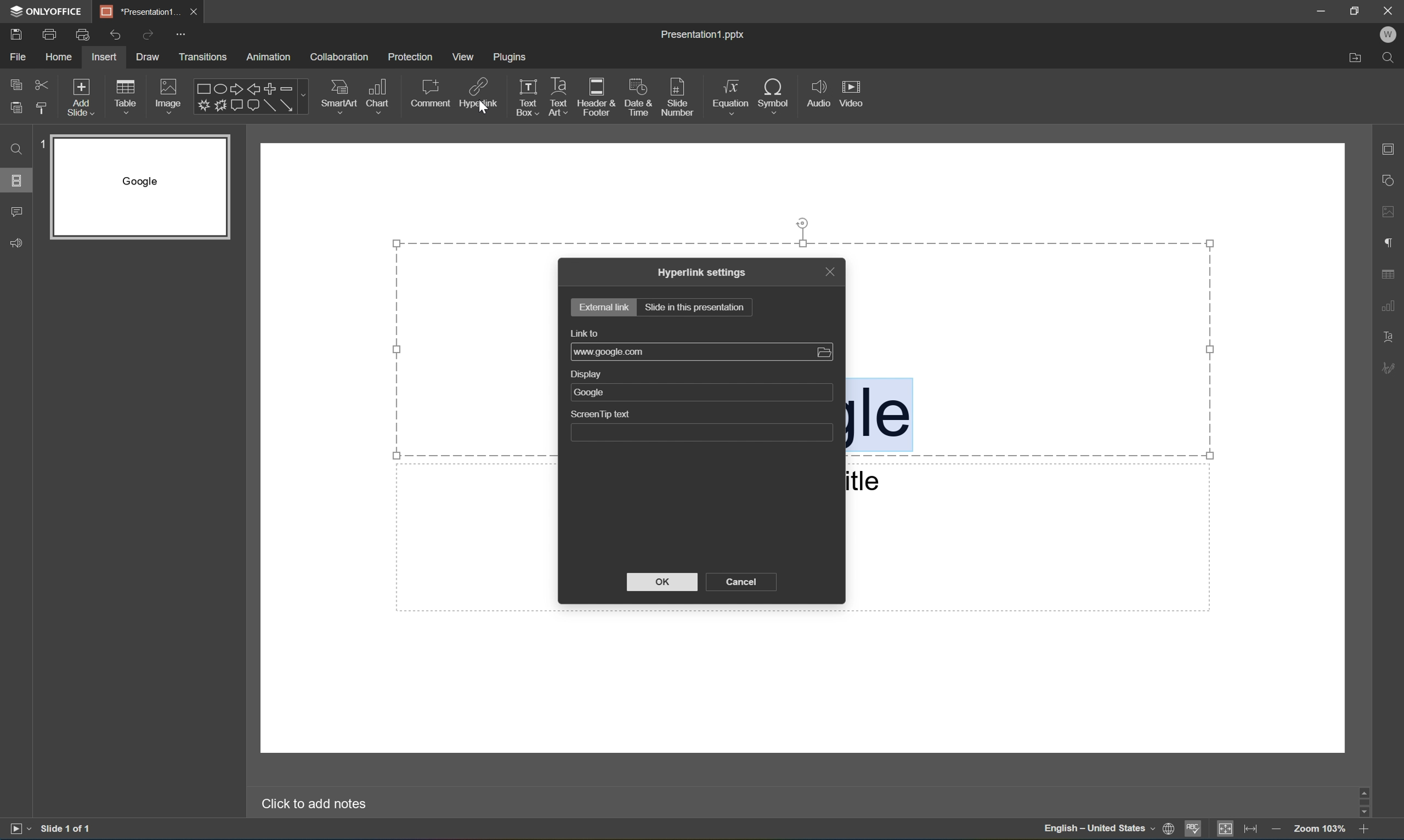 This screenshot has width=1404, height=840. I want to click on Text box, so click(526, 96).